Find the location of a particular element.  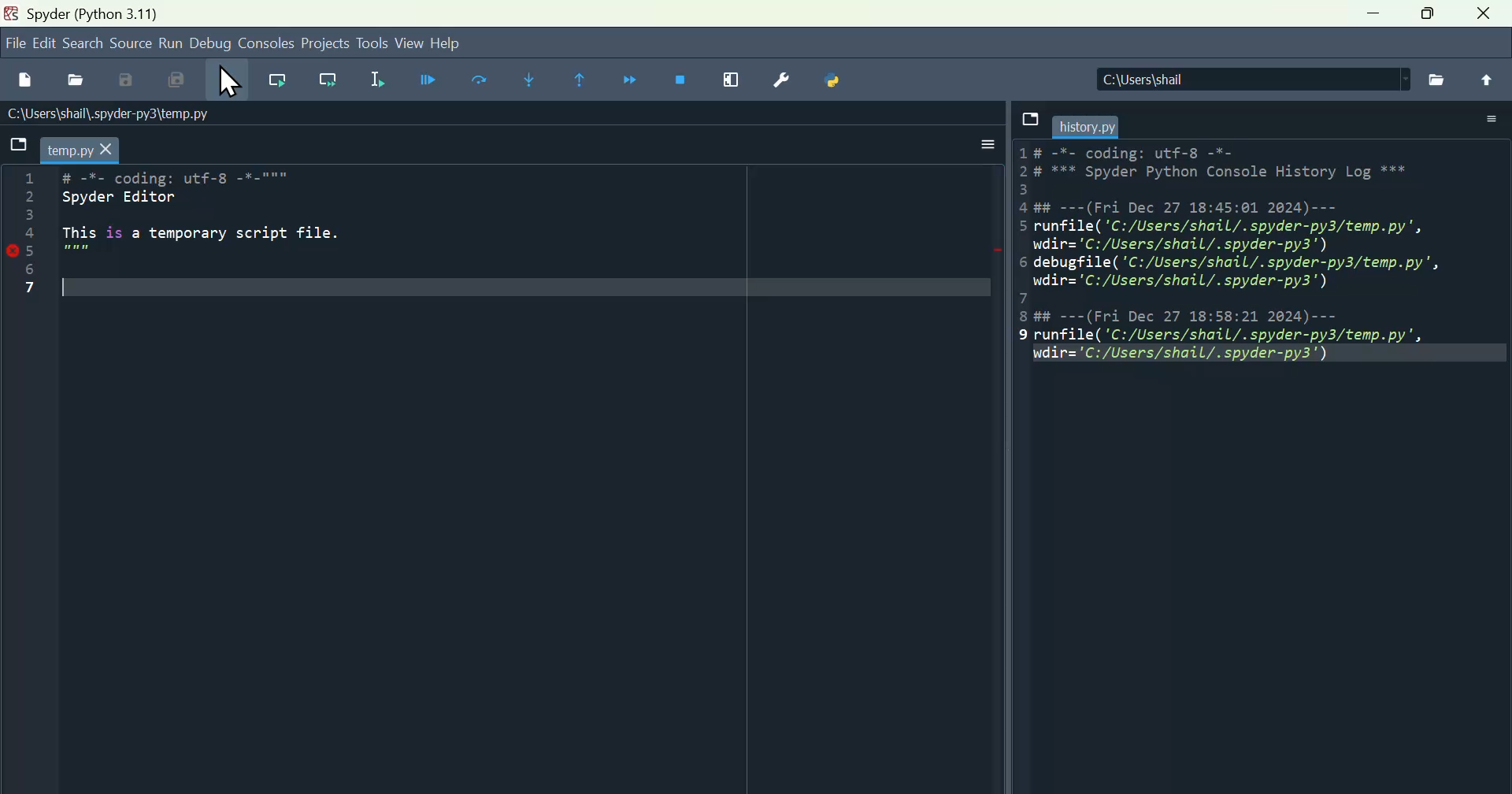

file is located at coordinates (15, 45).